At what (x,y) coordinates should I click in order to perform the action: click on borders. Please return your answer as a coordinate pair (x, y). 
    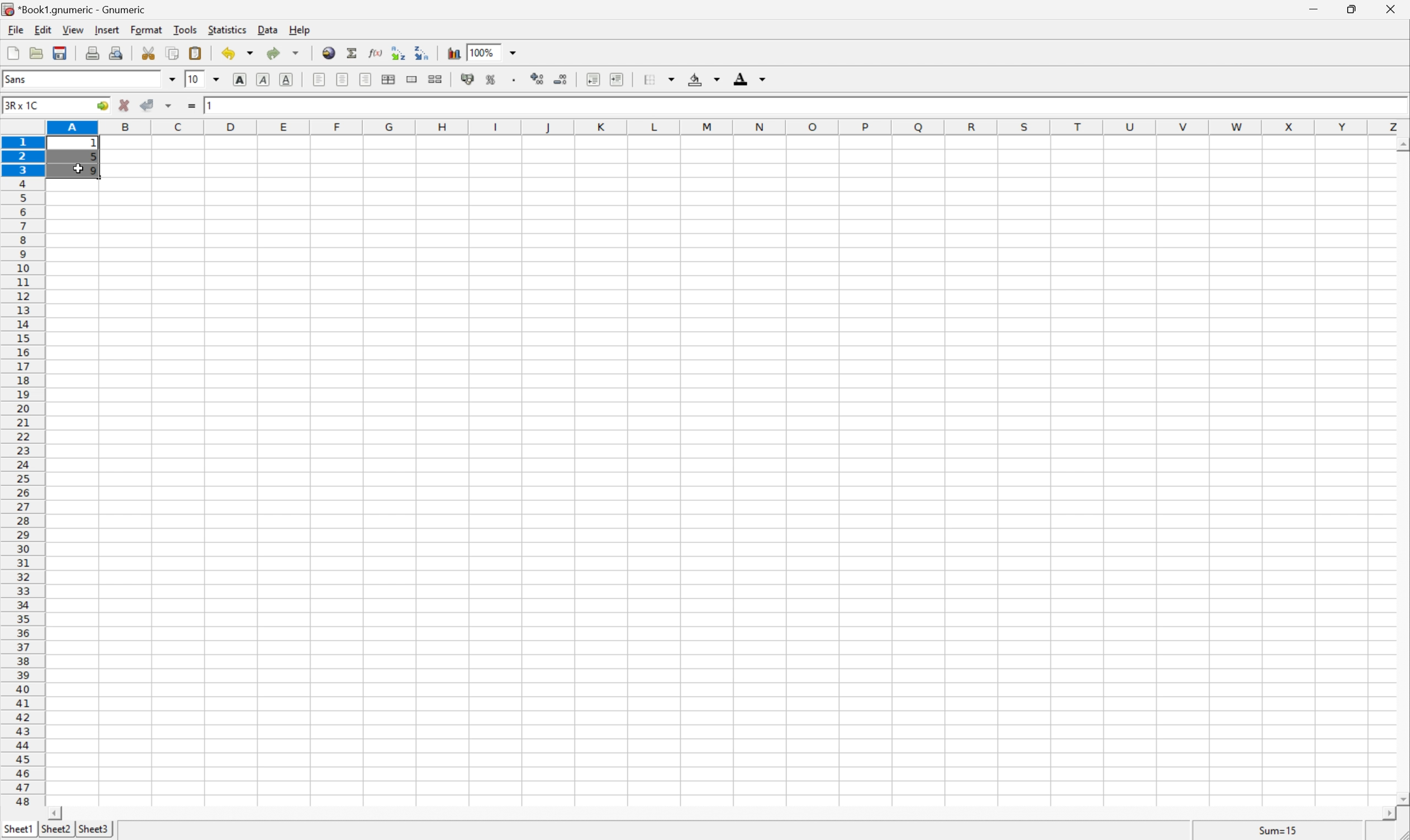
    Looking at the image, I should click on (657, 79).